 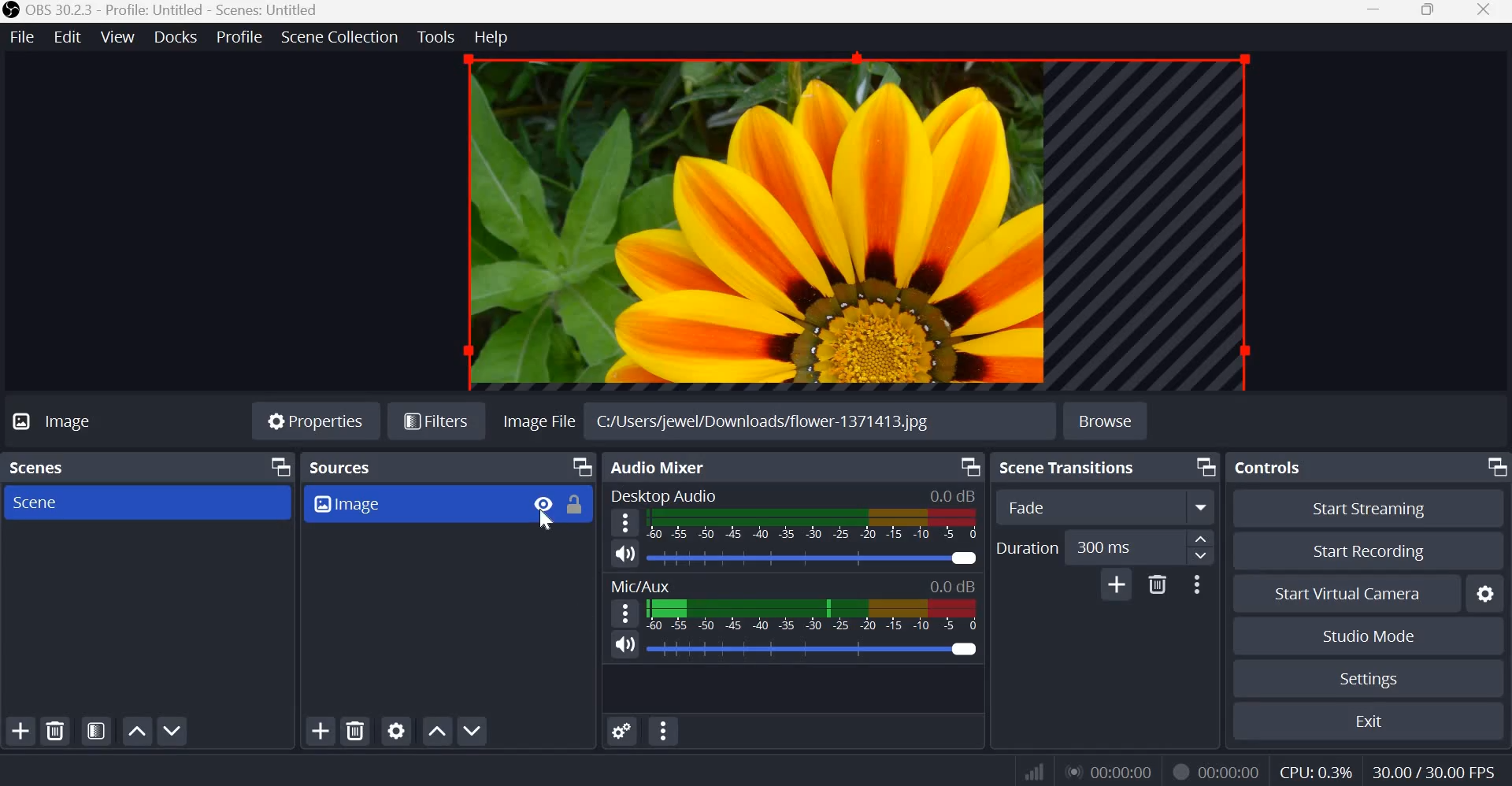 What do you see at coordinates (172, 11) in the screenshot?
I see `OBS 30.3.3 - Profile: Untitled - Scenes: Untitled` at bounding box center [172, 11].